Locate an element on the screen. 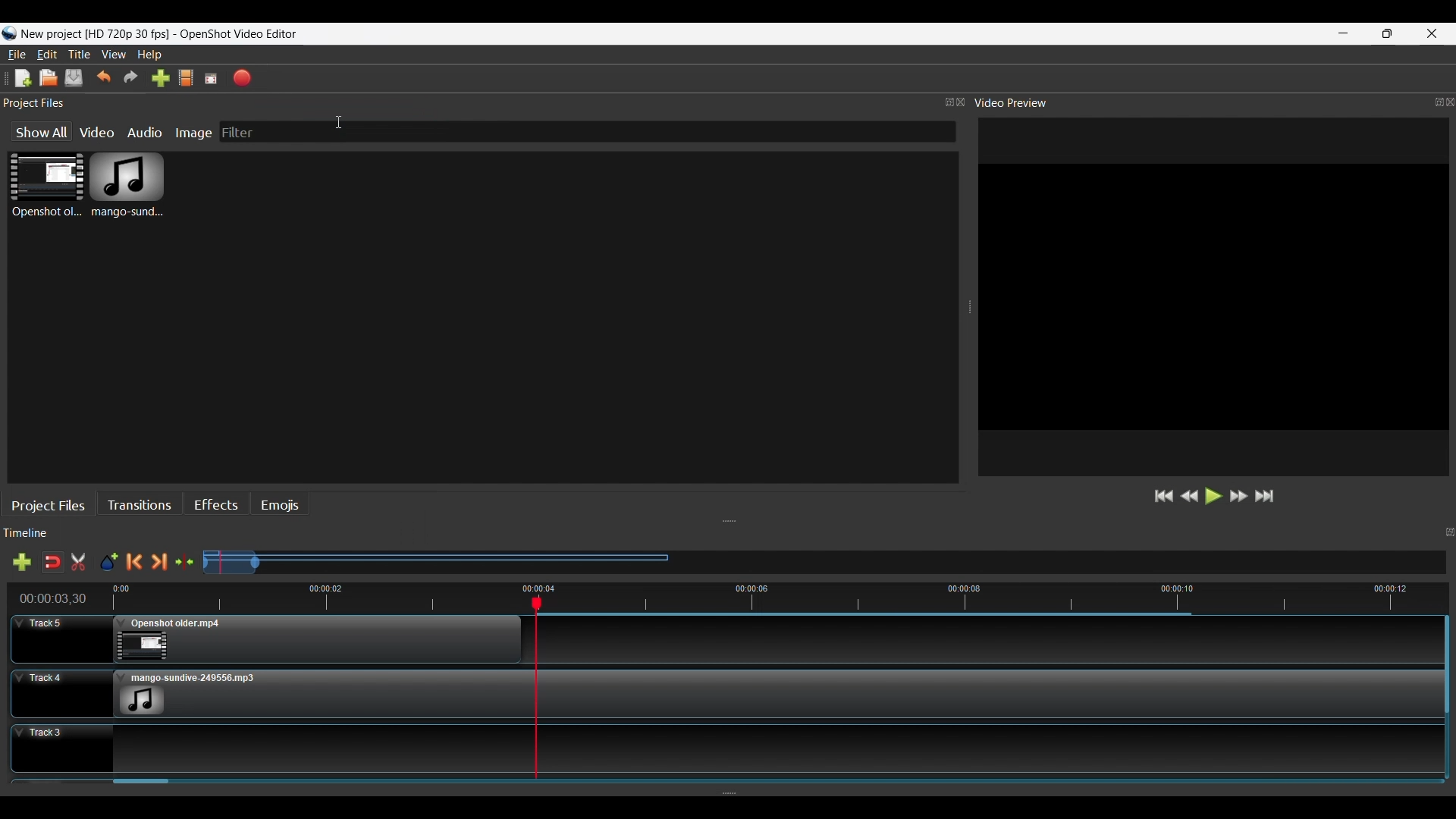 This screenshot has height=819, width=1456. Enable Razor is located at coordinates (82, 564).